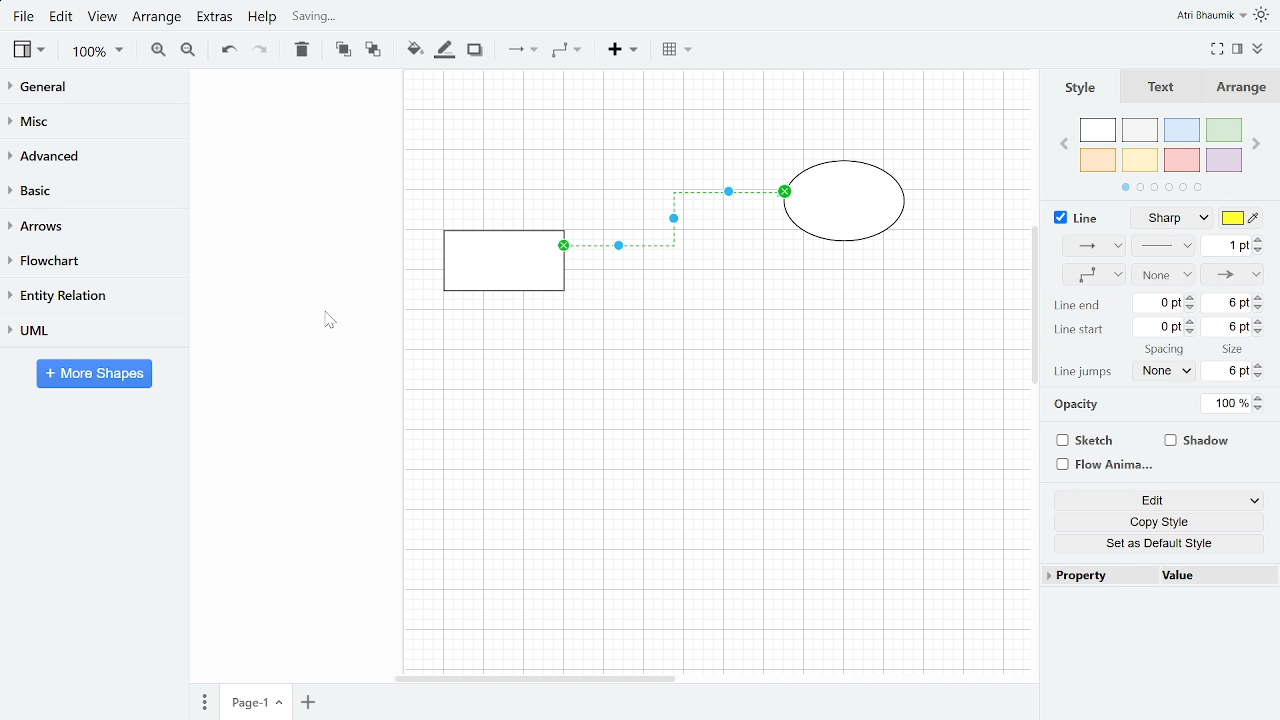 The width and height of the screenshot is (1280, 720). I want to click on General, so click(93, 89).